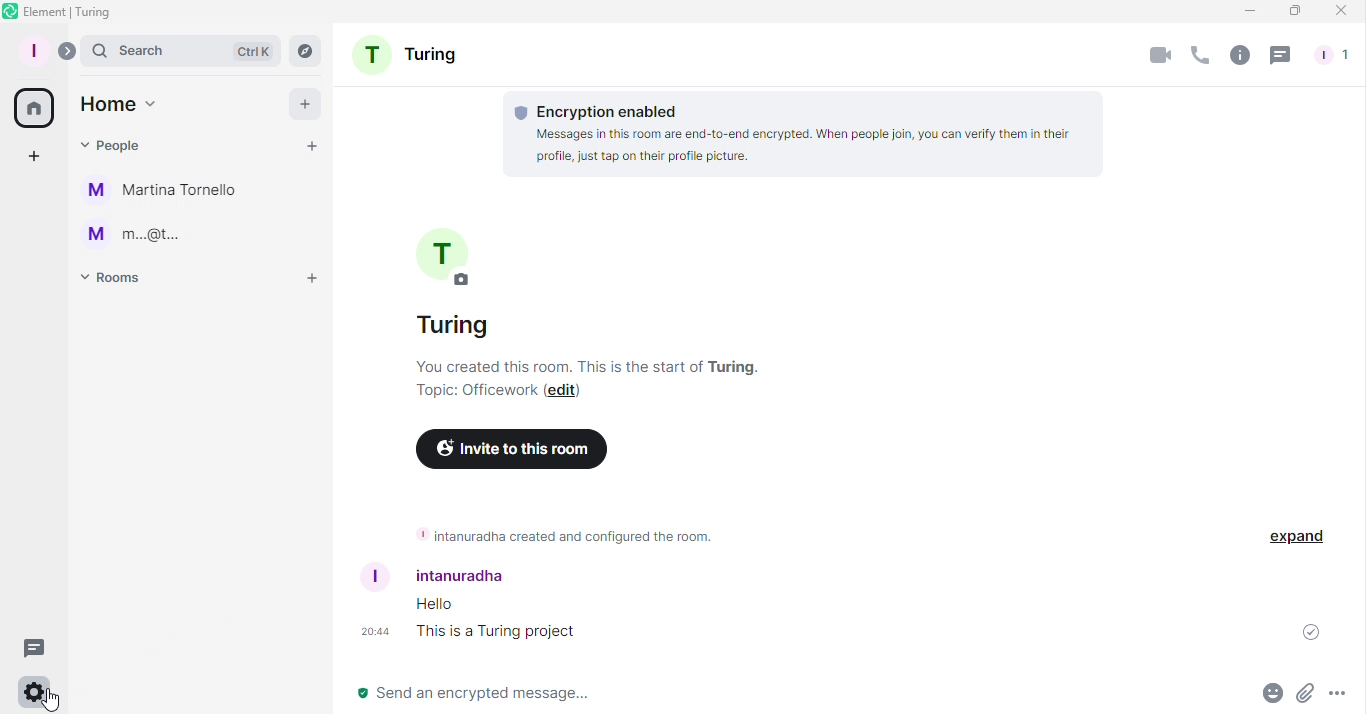 This screenshot has height=714, width=1366. What do you see at coordinates (374, 632) in the screenshot?
I see `20:44` at bounding box center [374, 632].